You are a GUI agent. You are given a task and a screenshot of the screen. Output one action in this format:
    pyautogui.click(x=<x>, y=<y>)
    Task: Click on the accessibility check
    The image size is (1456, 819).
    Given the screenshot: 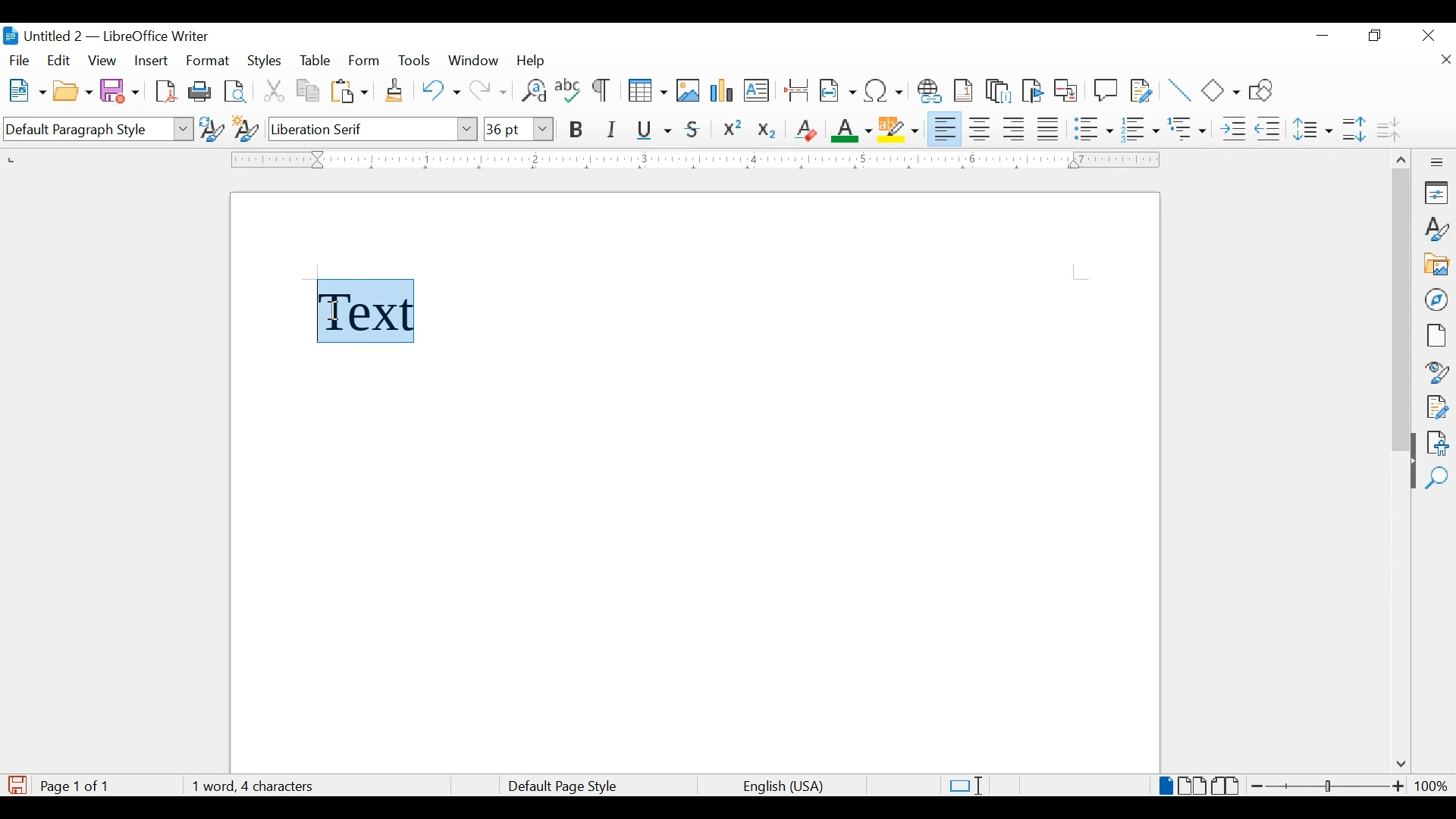 What is the action you would take?
    pyautogui.click(x=1438, y=443)
    